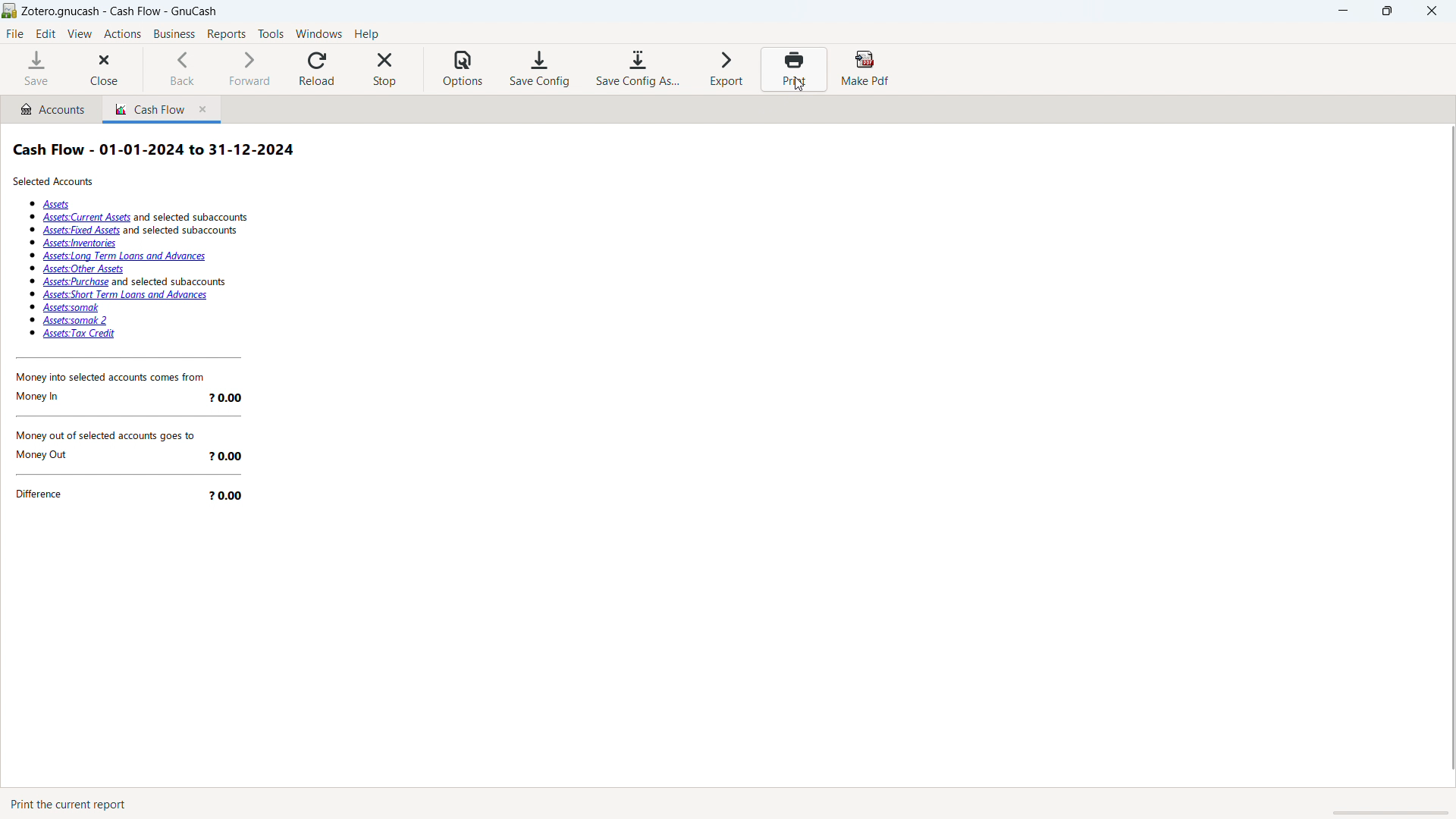 The image size is (1456, 819). Describe the element at coordinates (74, 322) in the screenshot. I see `Assets: somak 2` at that location.